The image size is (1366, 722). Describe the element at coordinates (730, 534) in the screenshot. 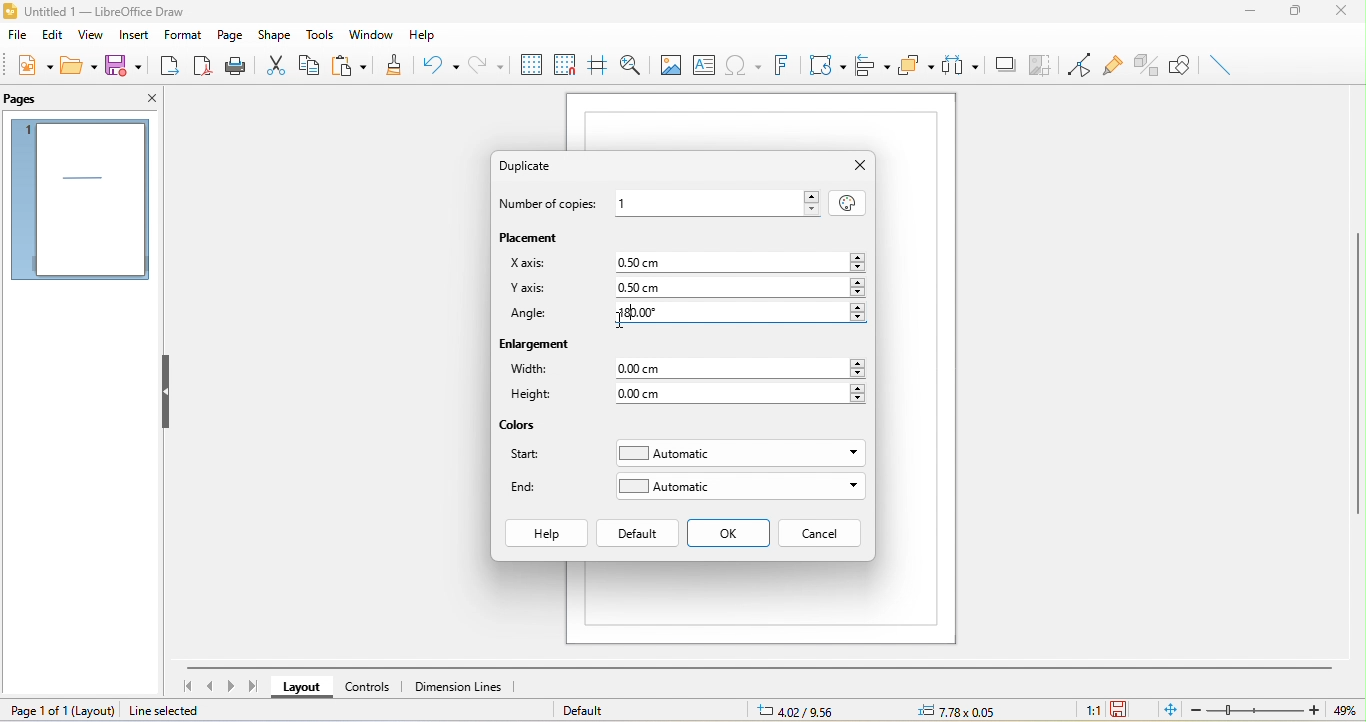

I see `ok` at that location.